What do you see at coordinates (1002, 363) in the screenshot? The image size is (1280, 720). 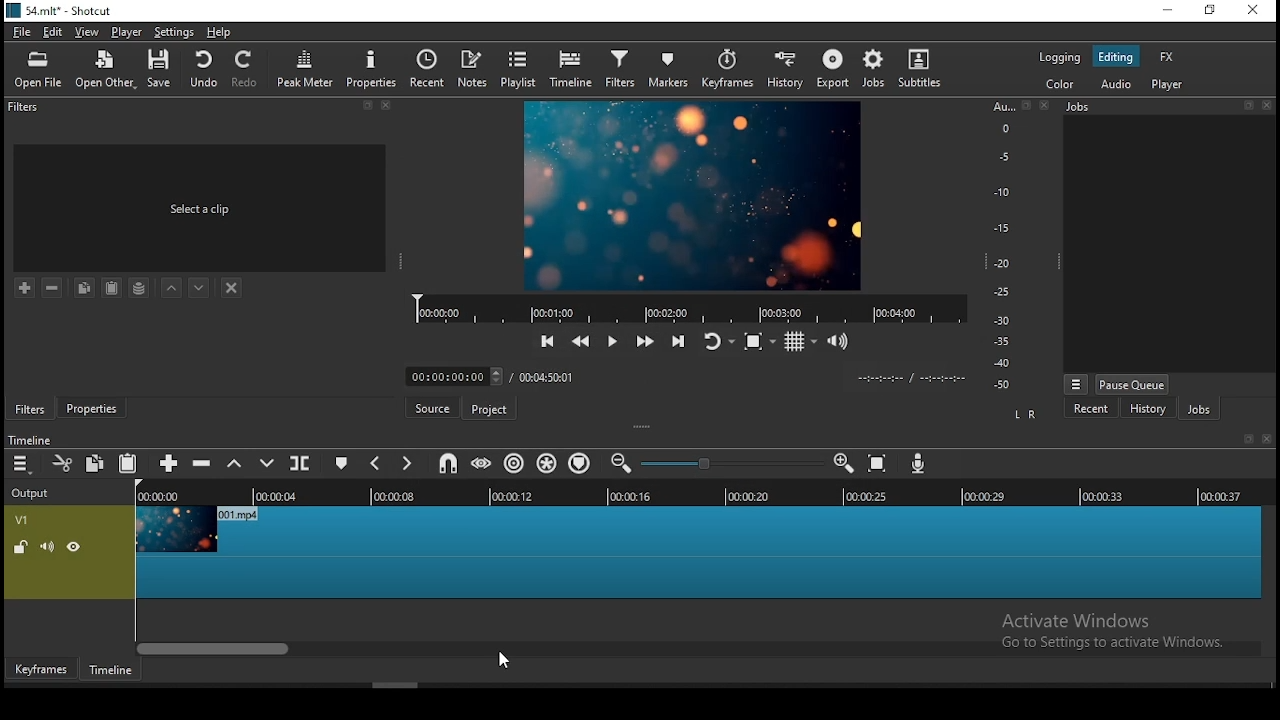 I see `-40` at bounding box center [1002, 363].